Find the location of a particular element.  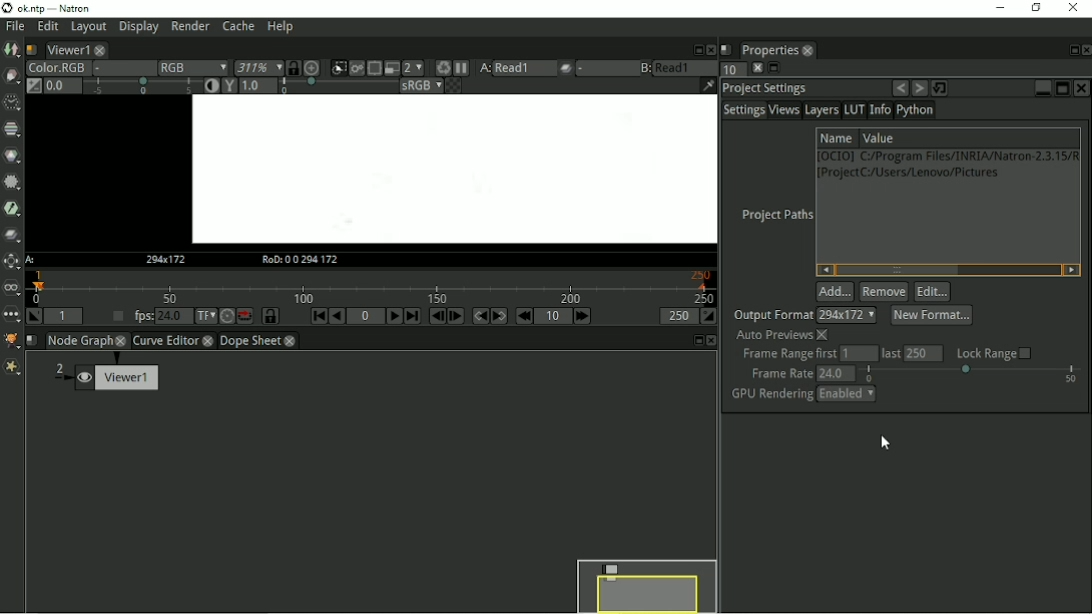

Scale down rendered image is located at coordinates (413, 68).